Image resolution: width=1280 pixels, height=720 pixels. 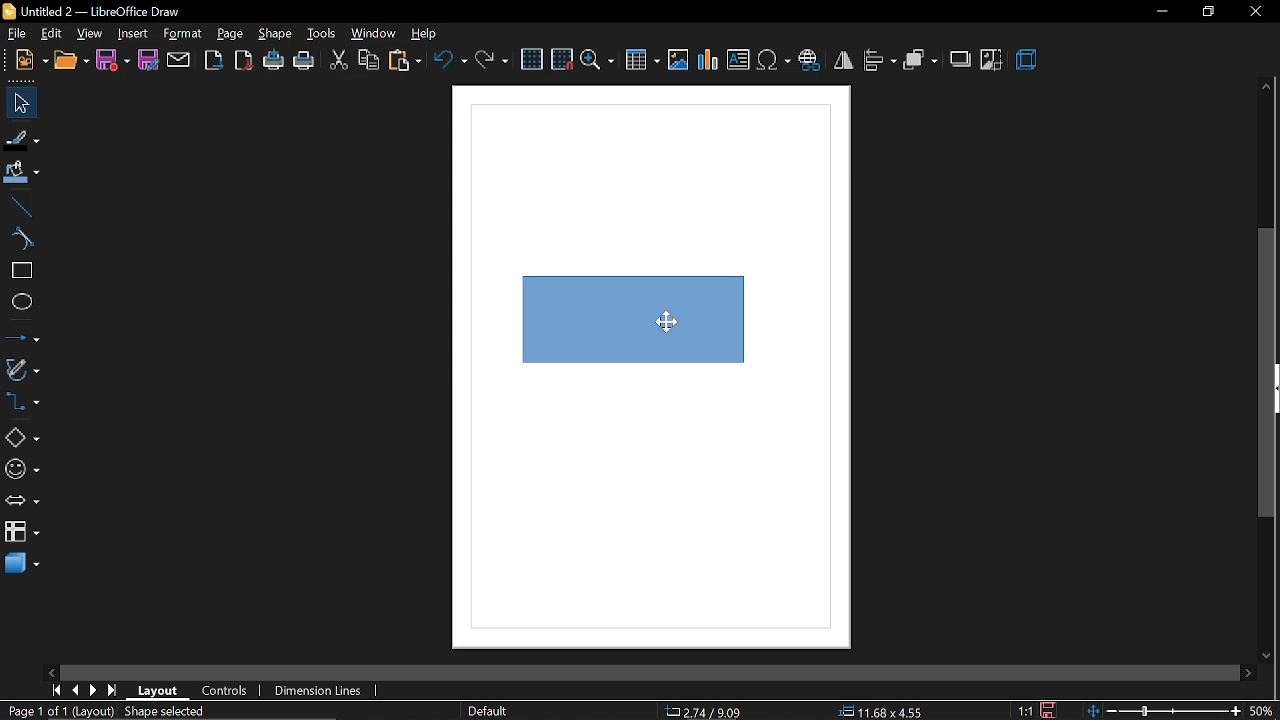 I want to click on move right, so click(x=1246, y=672).